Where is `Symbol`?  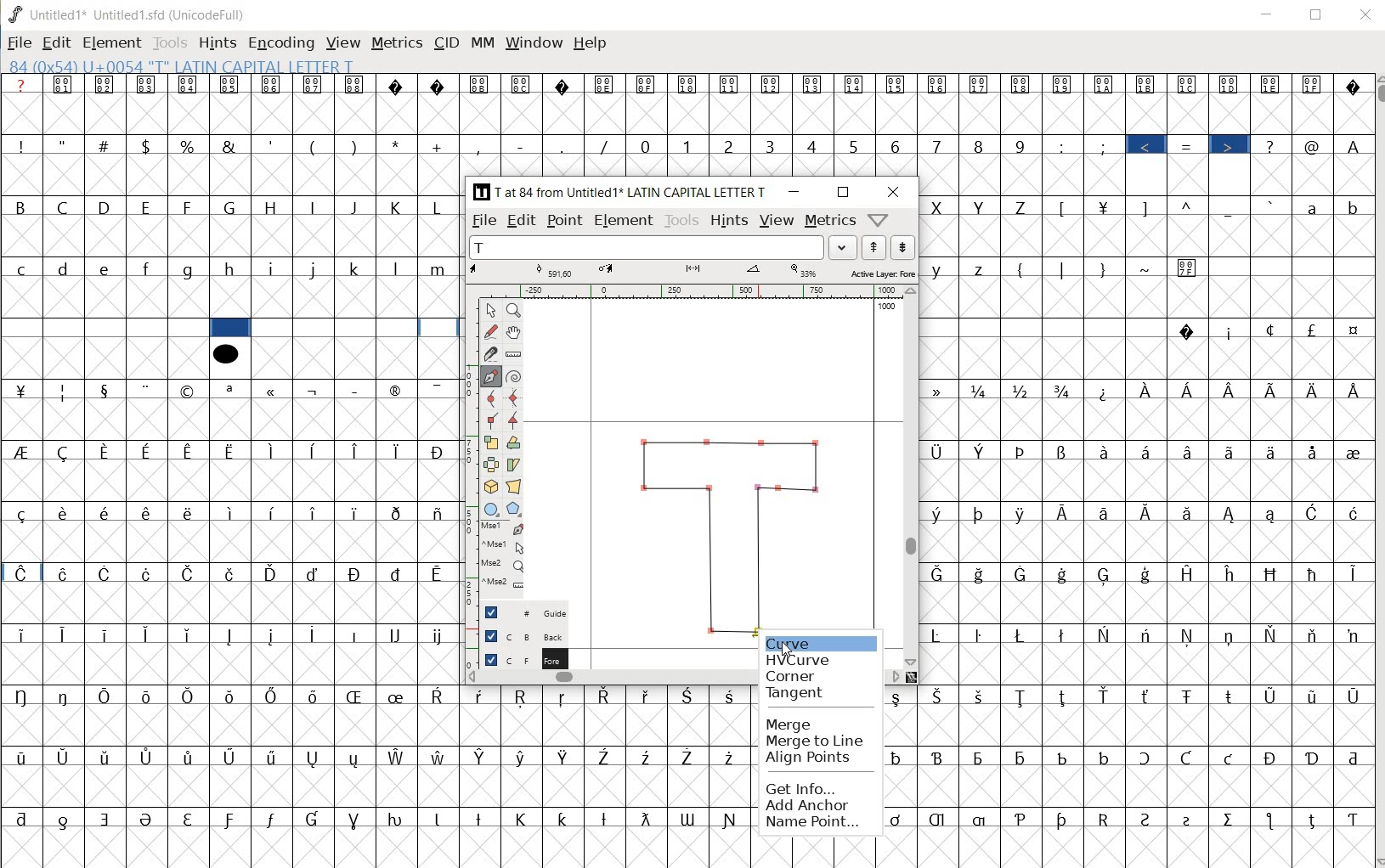 Symbol is located at coordinates (1230, 451).